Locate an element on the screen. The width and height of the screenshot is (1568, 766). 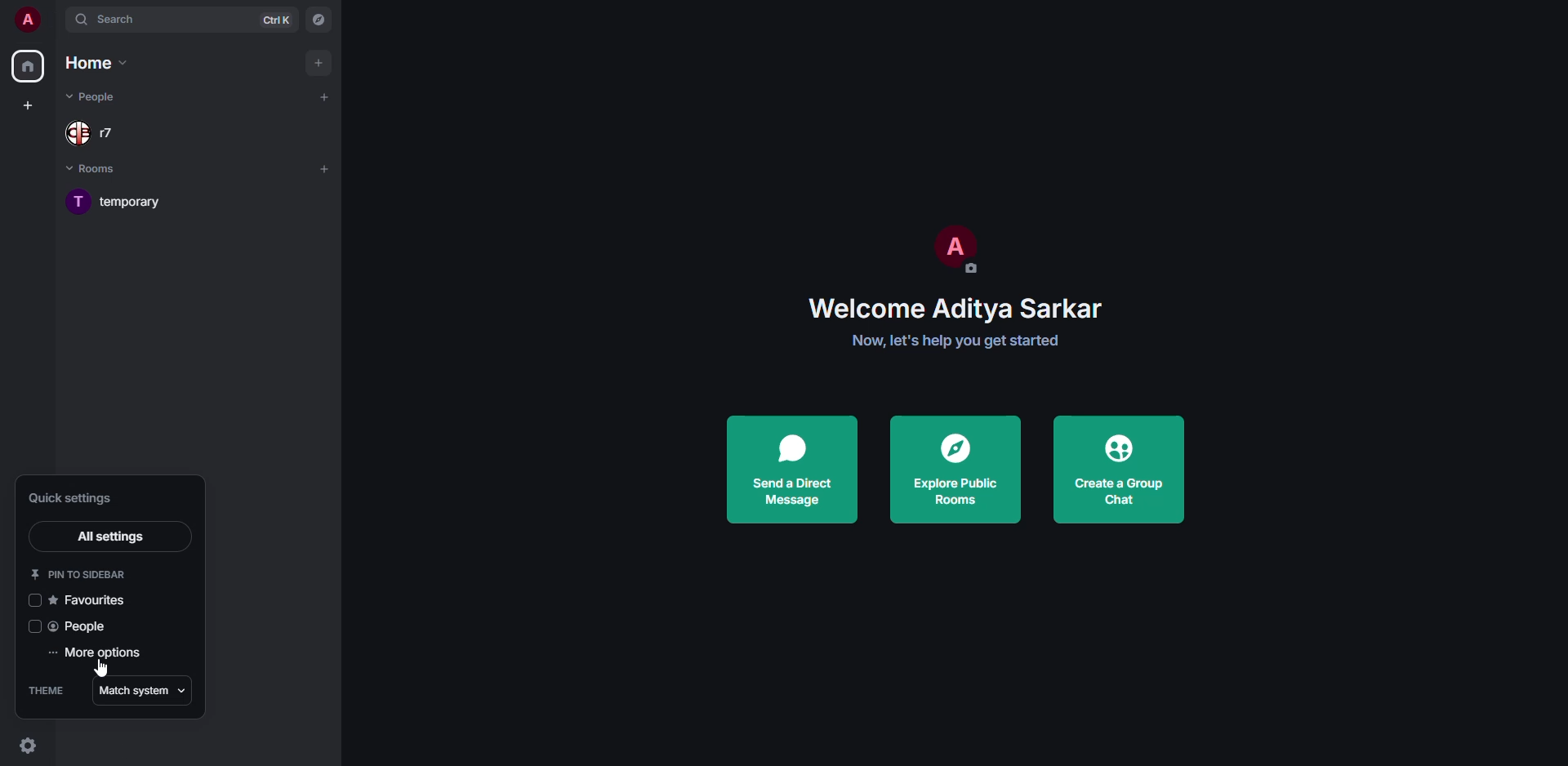
click to enable is located at coordinates (32, 626).